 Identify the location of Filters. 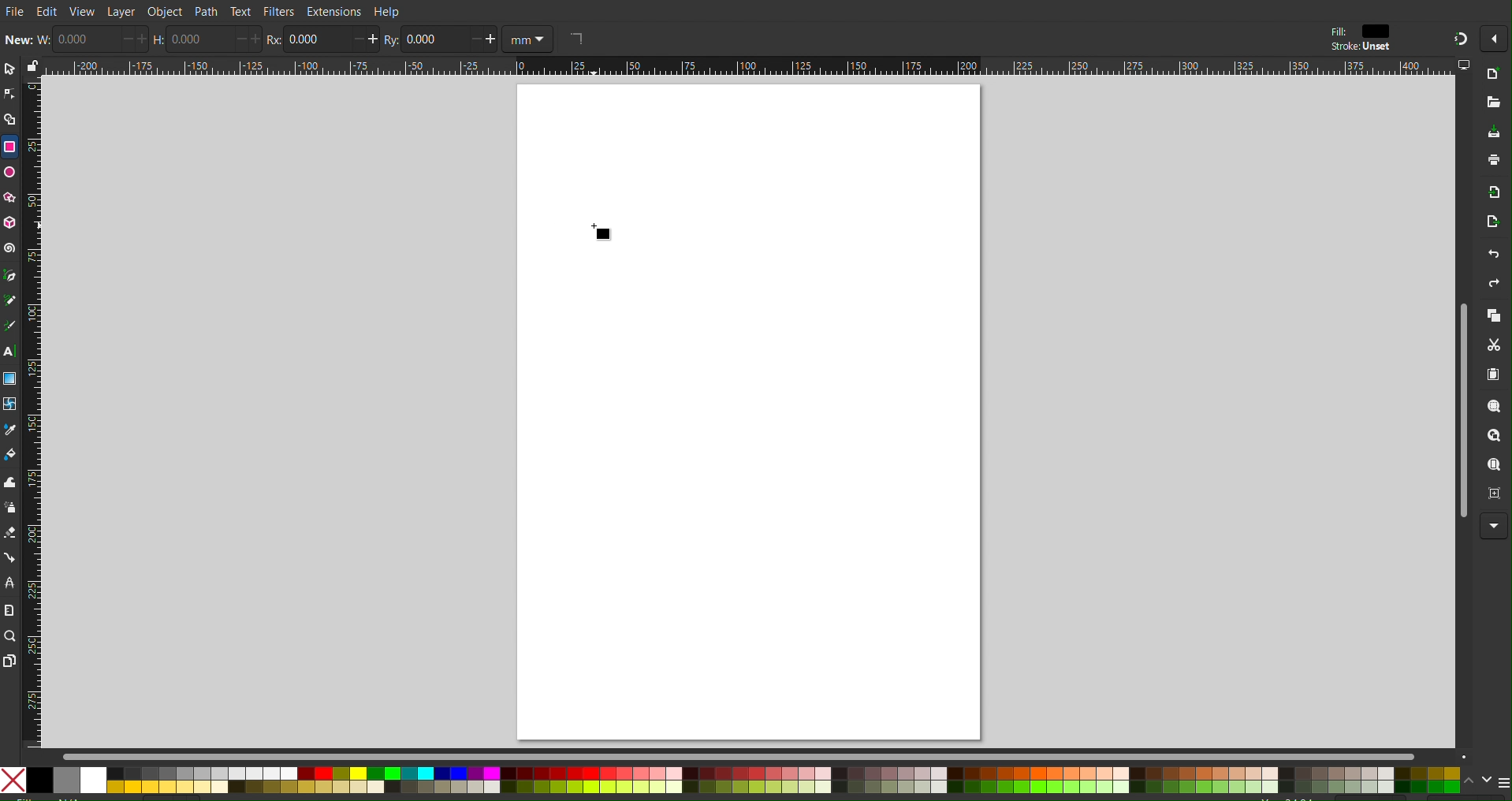
(278, 13).